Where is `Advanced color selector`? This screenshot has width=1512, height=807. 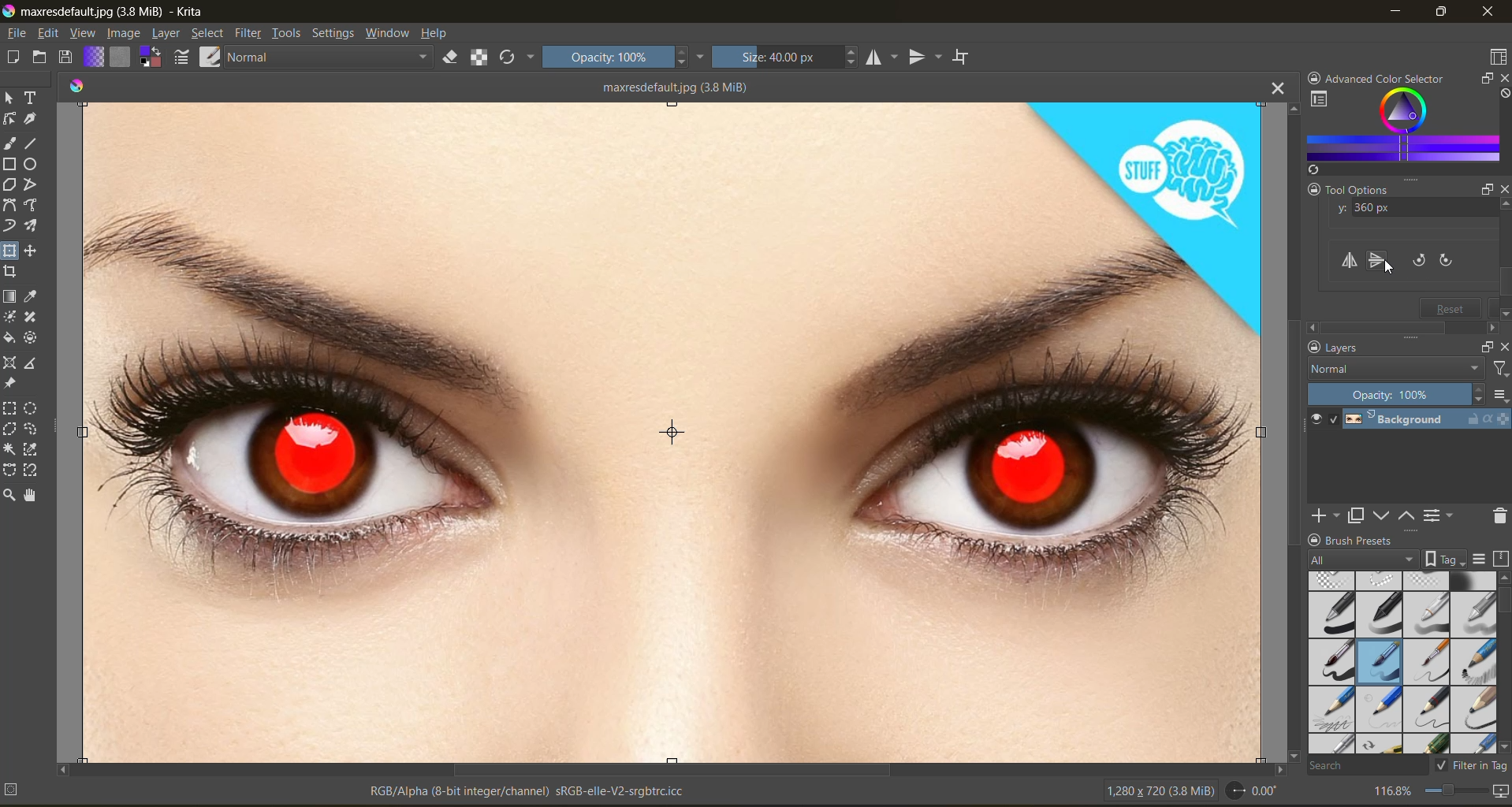 Advanced color selector is located at coordinates (1394, 76).